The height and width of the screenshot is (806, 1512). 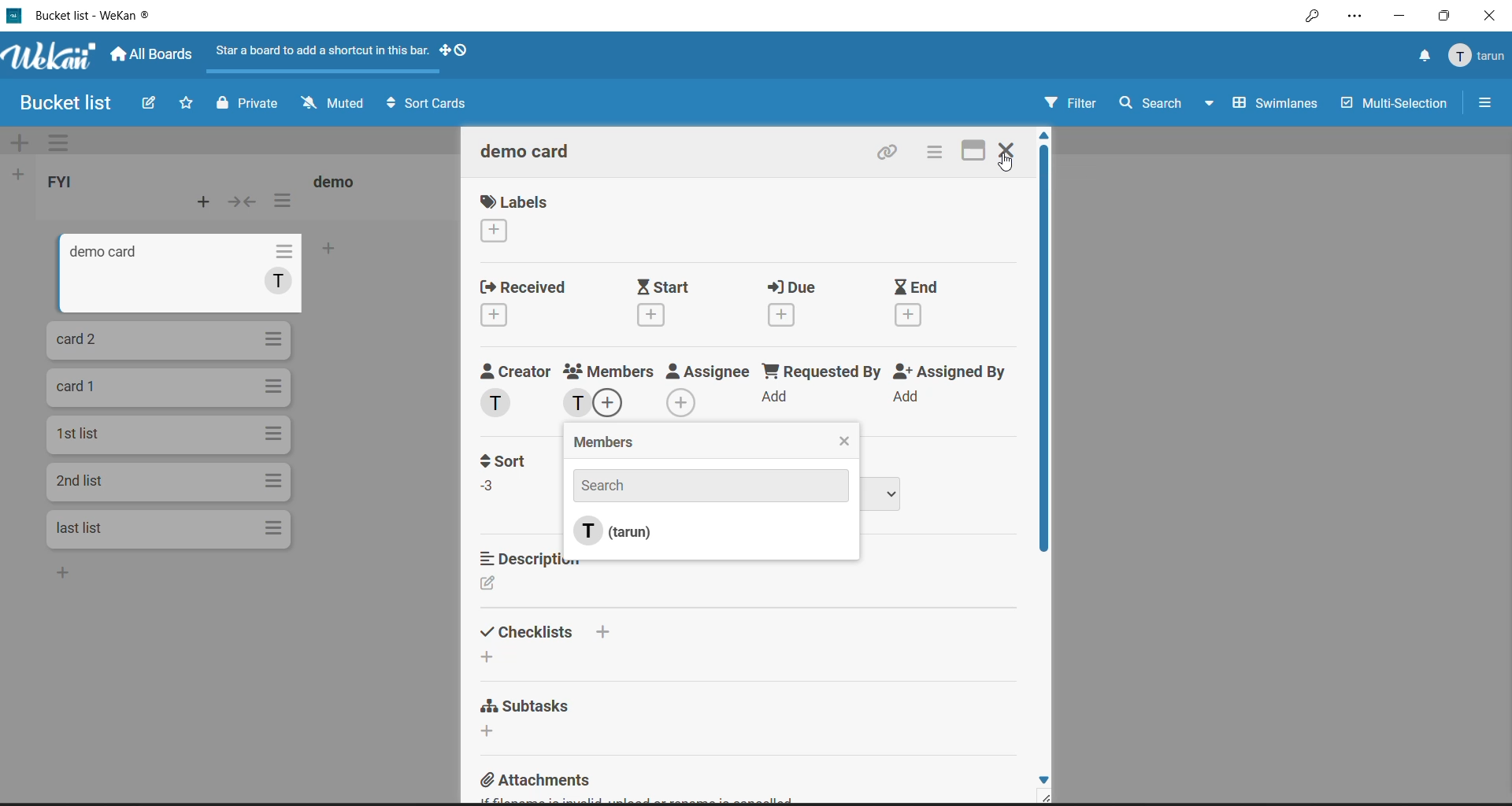 What do you see at coordinates (538, 782) in the screenshot?
I see `attachments` at bounding box center [538, 782].